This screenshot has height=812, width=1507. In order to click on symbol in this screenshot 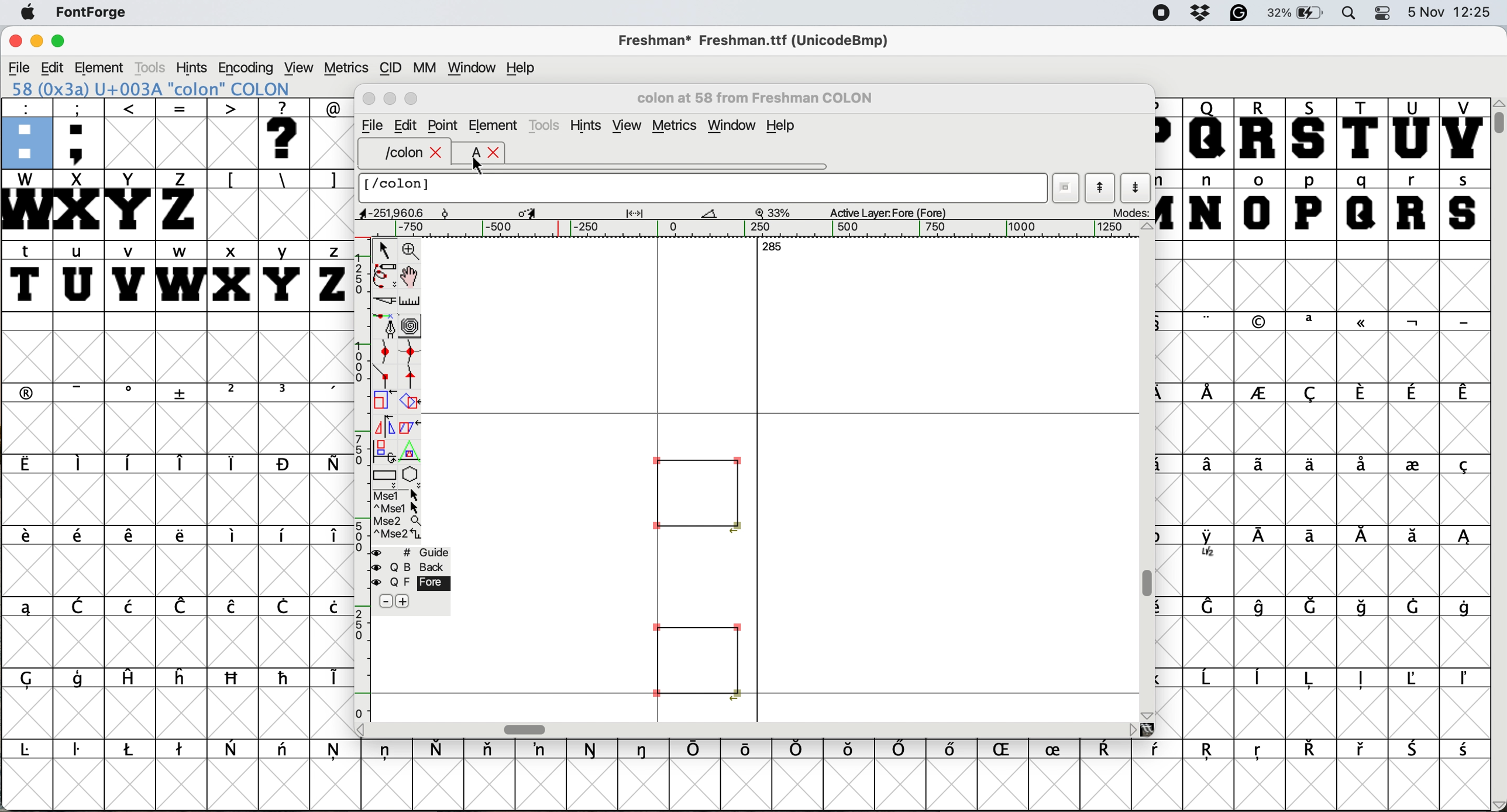, I will do `click(1261, 463)`.